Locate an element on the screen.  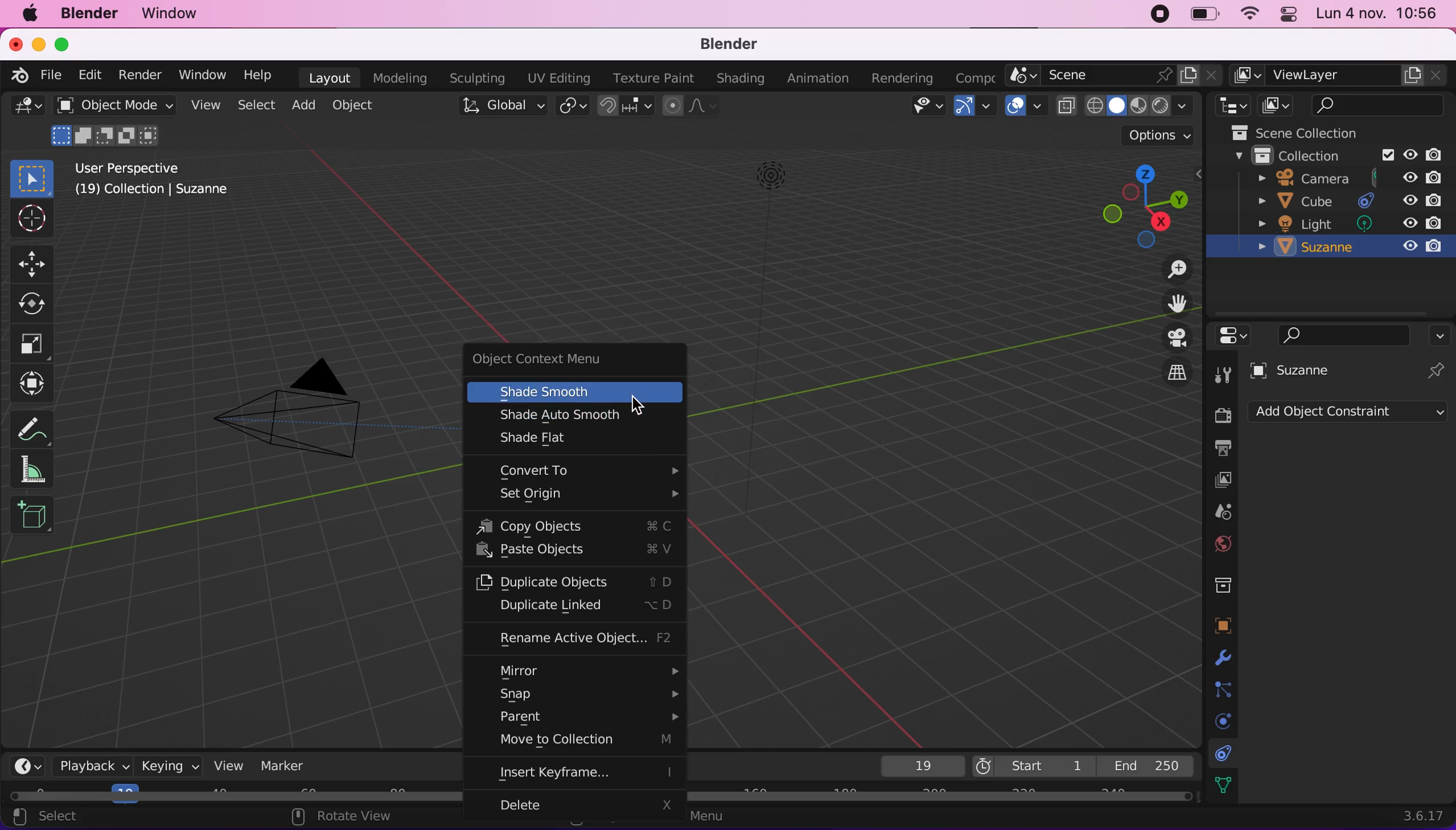
user perspective is located at coordinates (168, 166).